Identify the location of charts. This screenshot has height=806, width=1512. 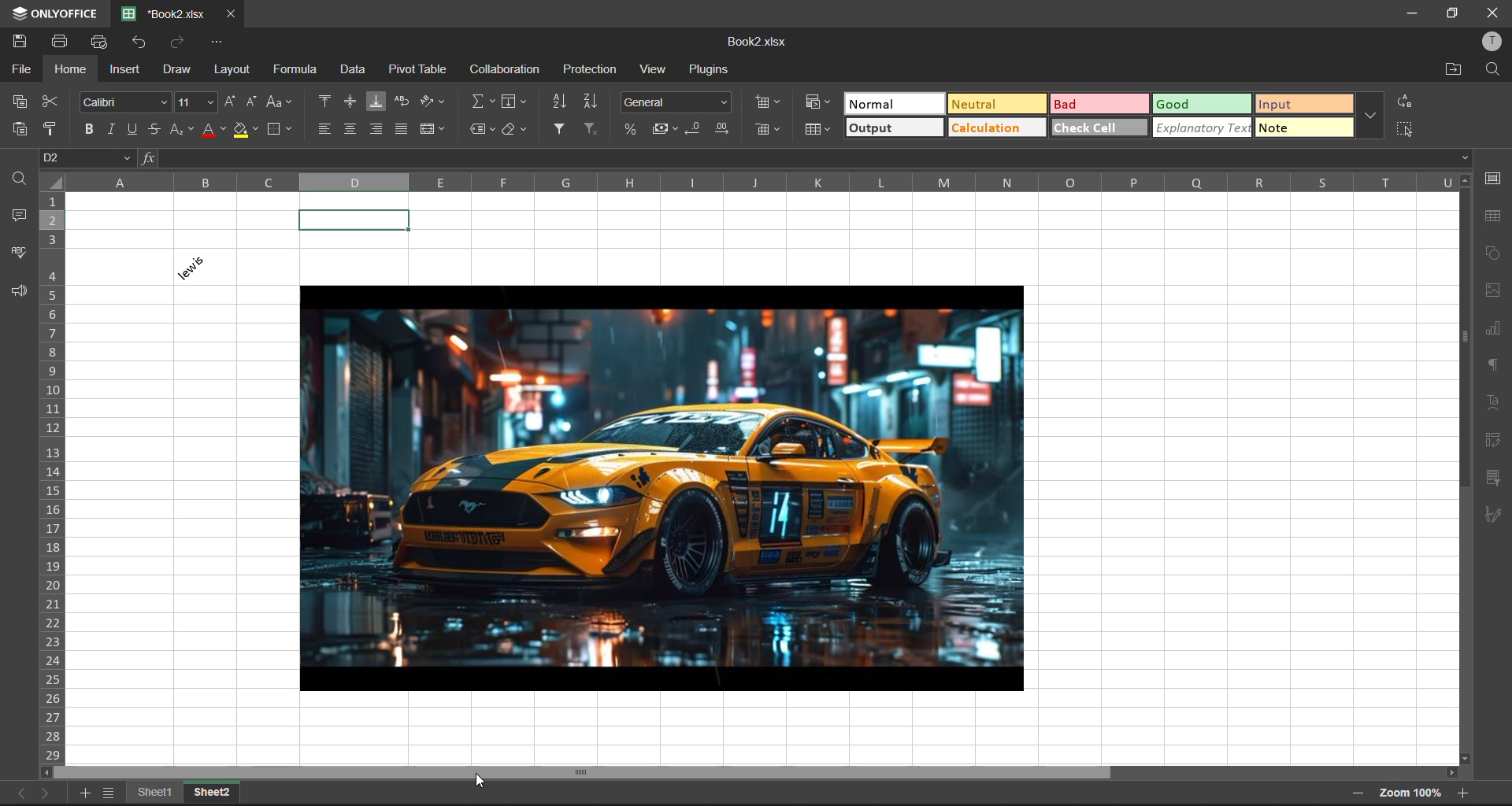
(1495, 329).